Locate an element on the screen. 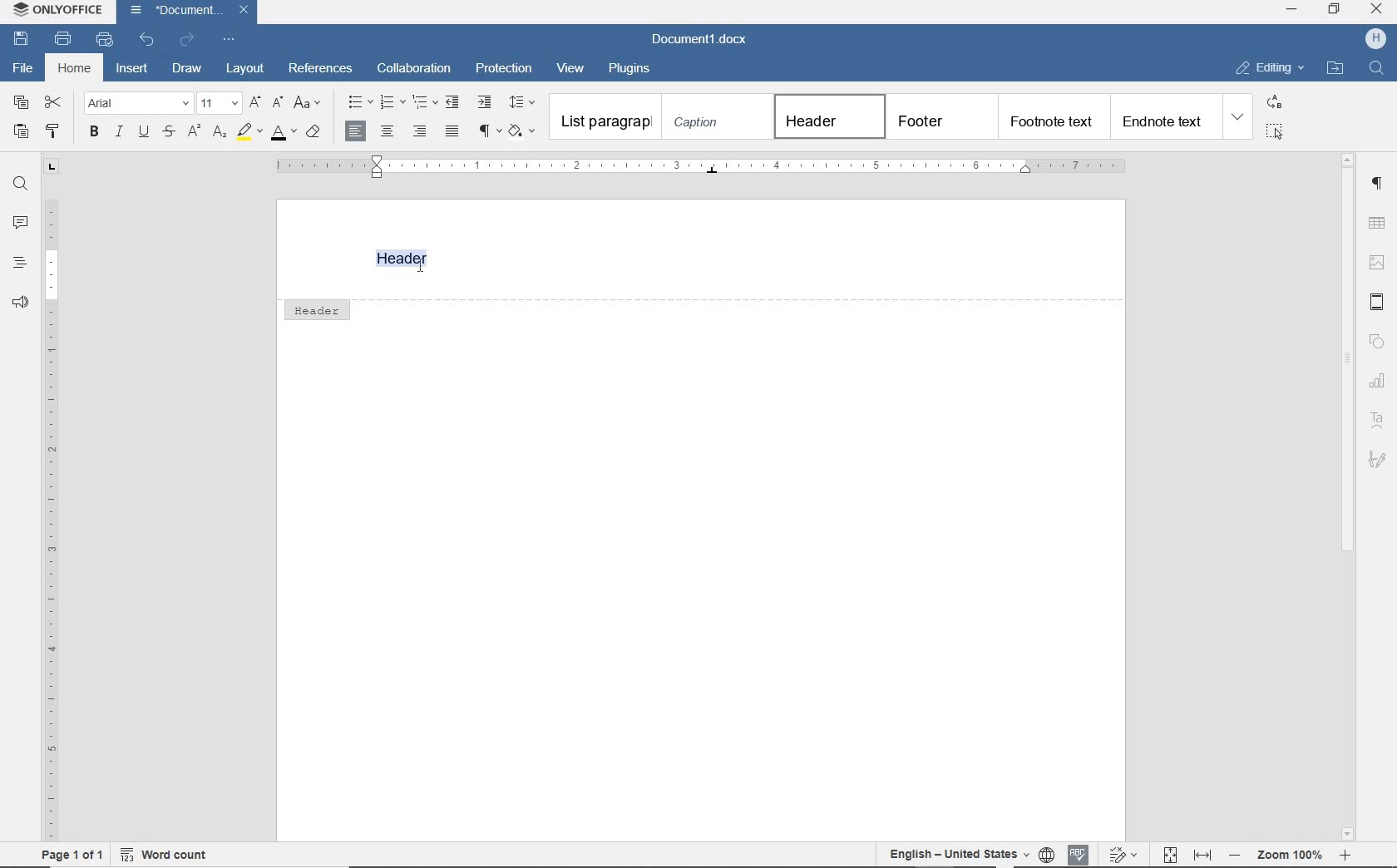 This screenshot has width=1397, height=868. track changes is located at coordinates (1122, 853).